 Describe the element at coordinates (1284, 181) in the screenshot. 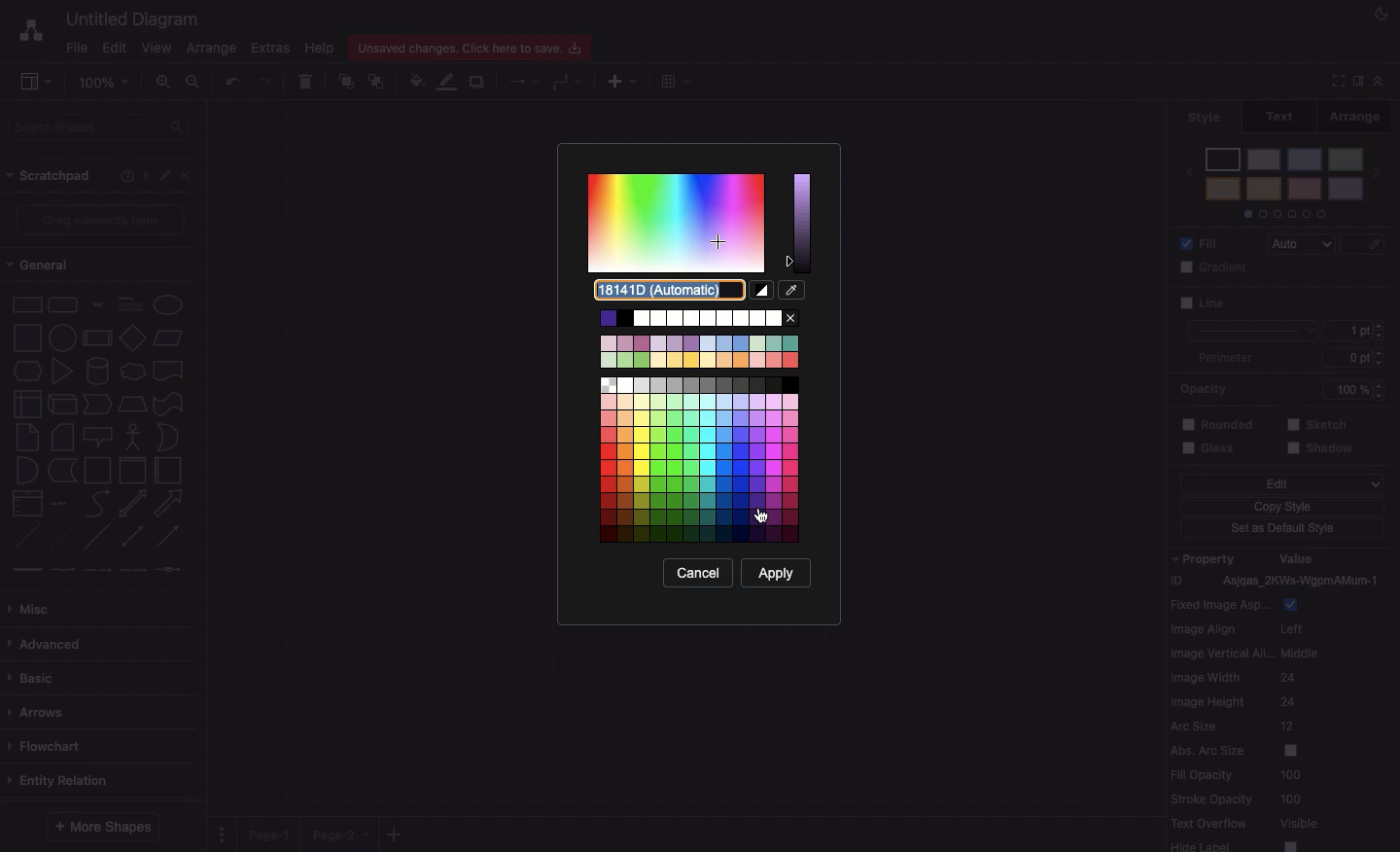

I see `Styles` at that location.